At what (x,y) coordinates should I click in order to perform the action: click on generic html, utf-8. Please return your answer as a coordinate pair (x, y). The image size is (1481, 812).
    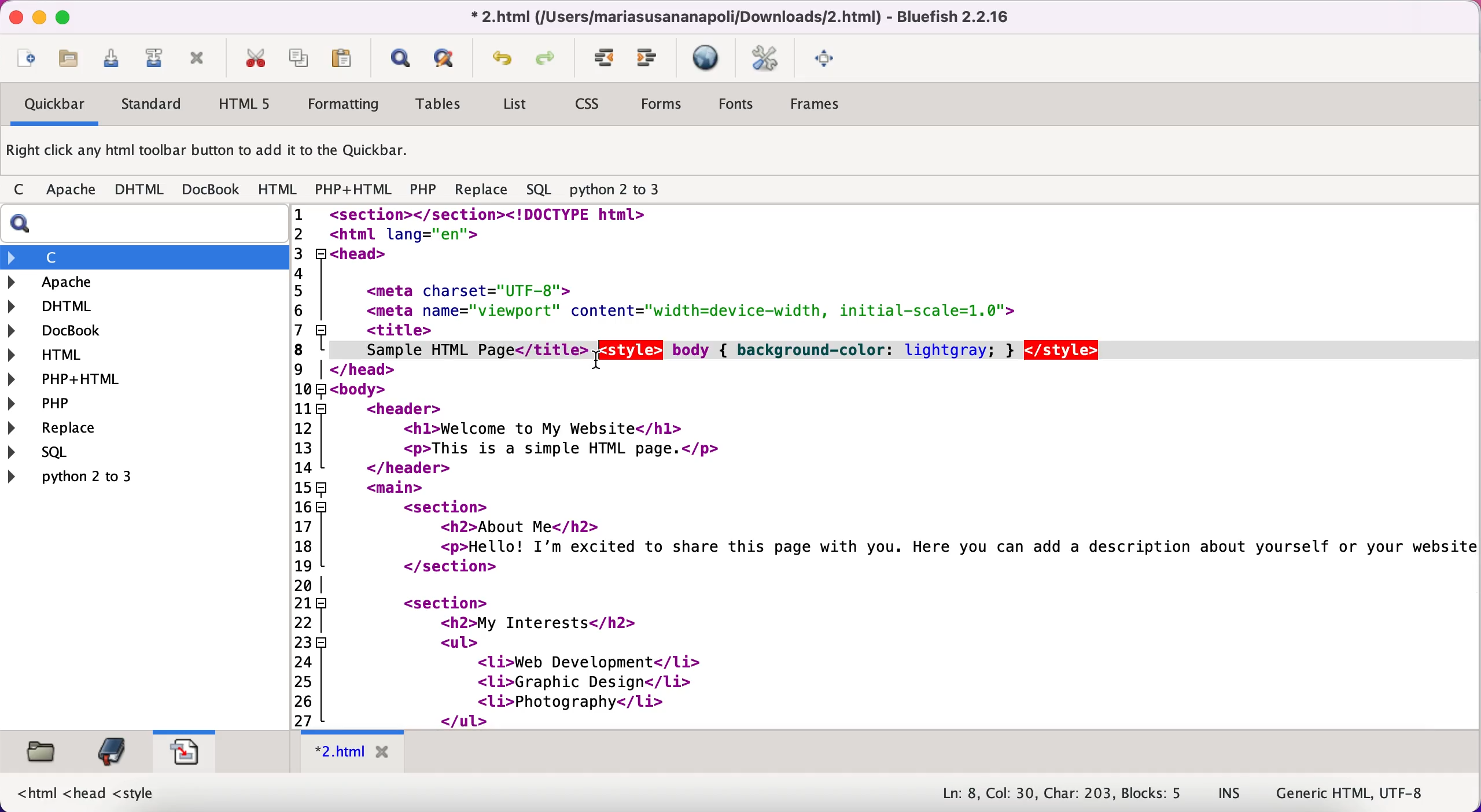
    Looking at the image, I should click on (1361, 792).